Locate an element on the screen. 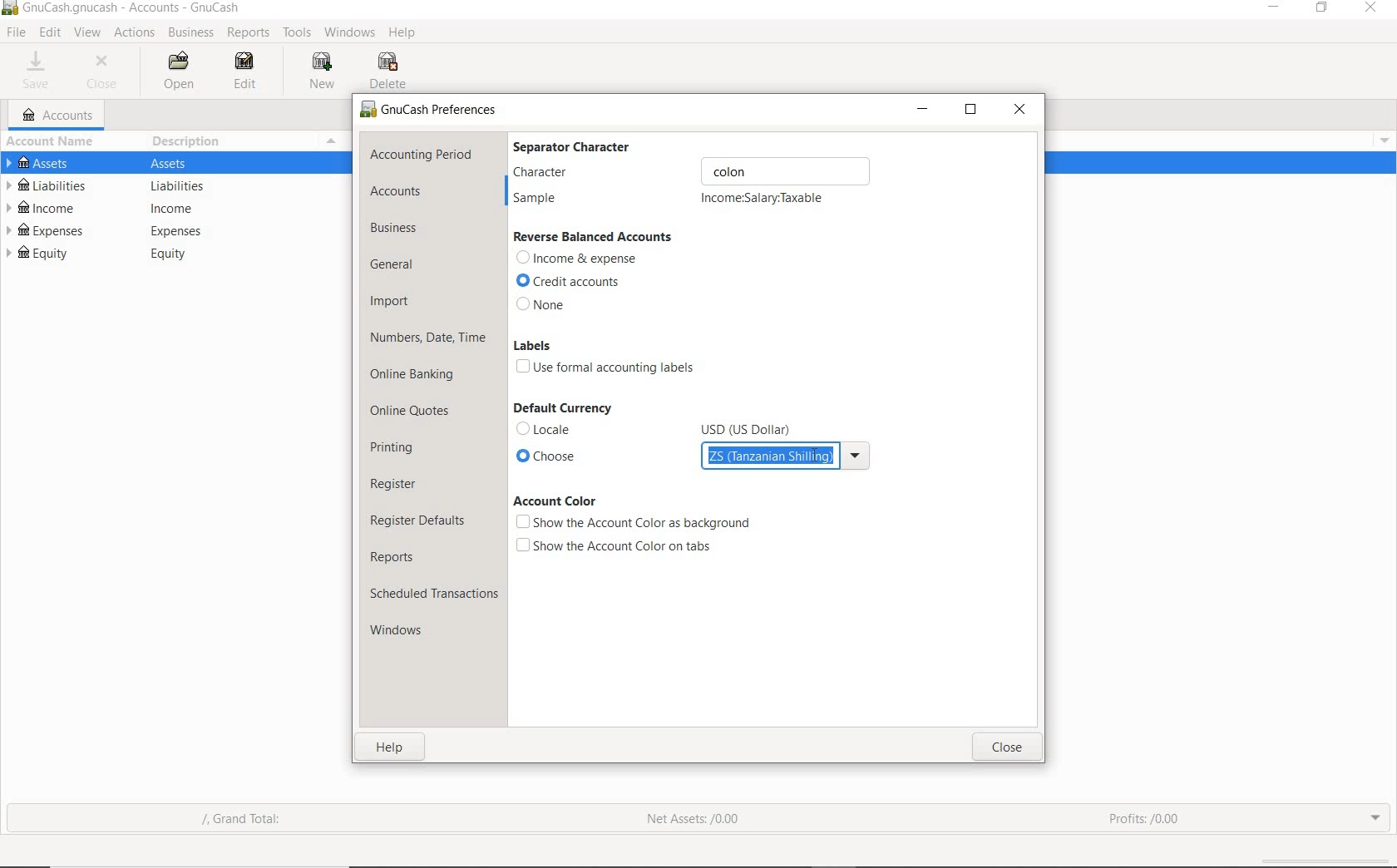 The image size is (1397, 868). character is located at coordinates (551, 172).